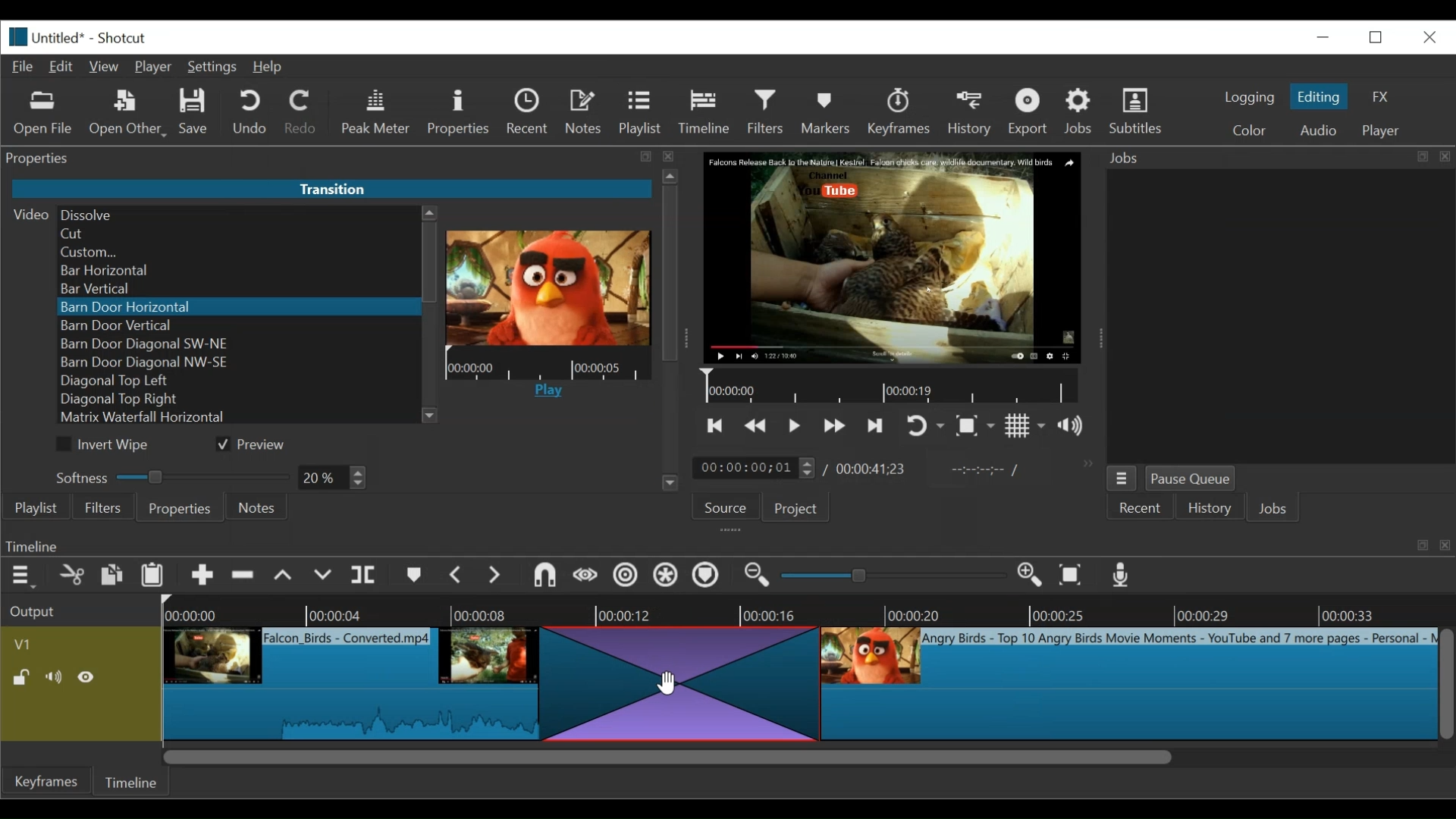 This screenshot has height=819, width=1456. I want to click on Properties, so click(460, 113).